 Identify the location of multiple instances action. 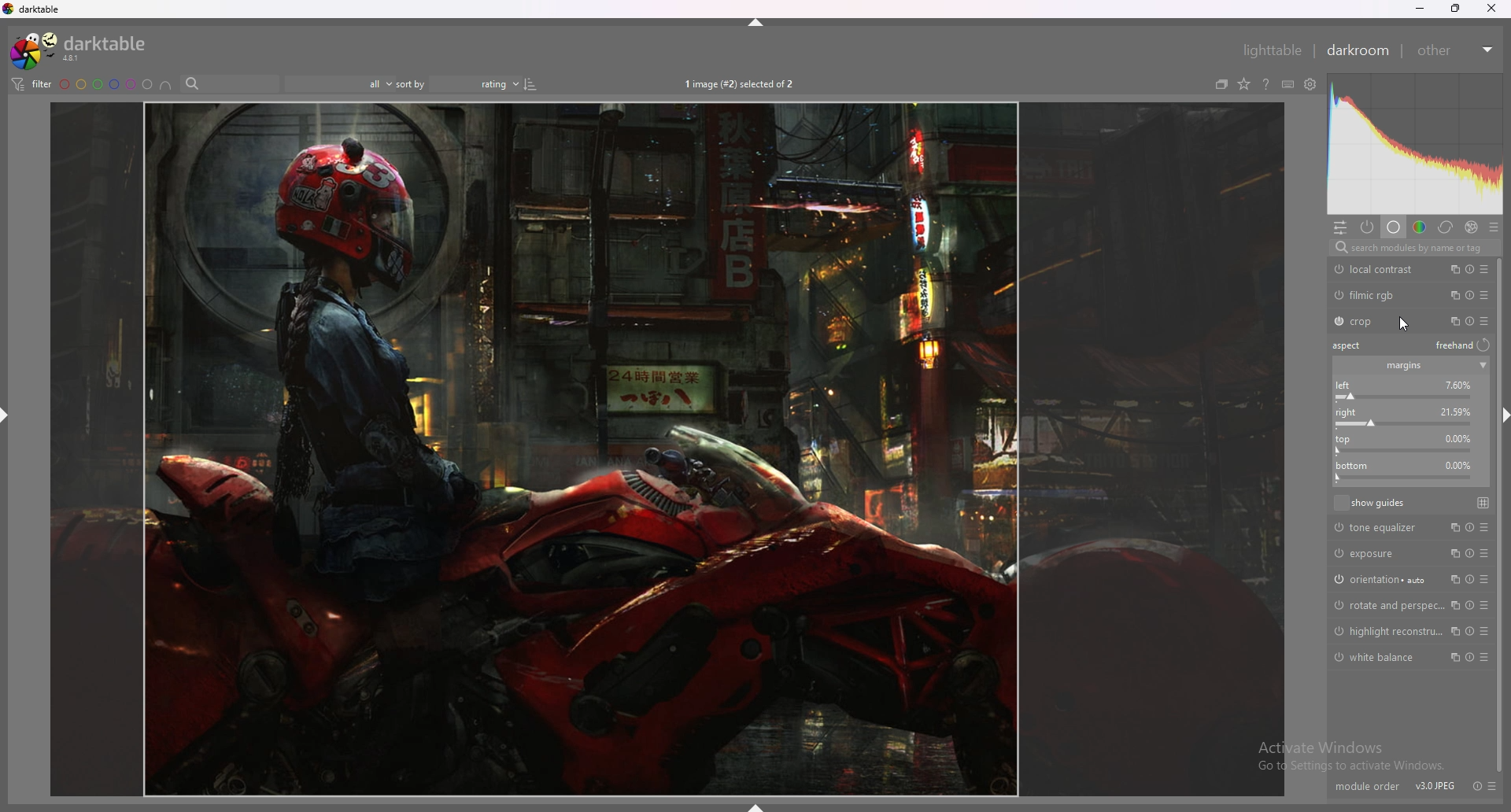
(1454, 553).